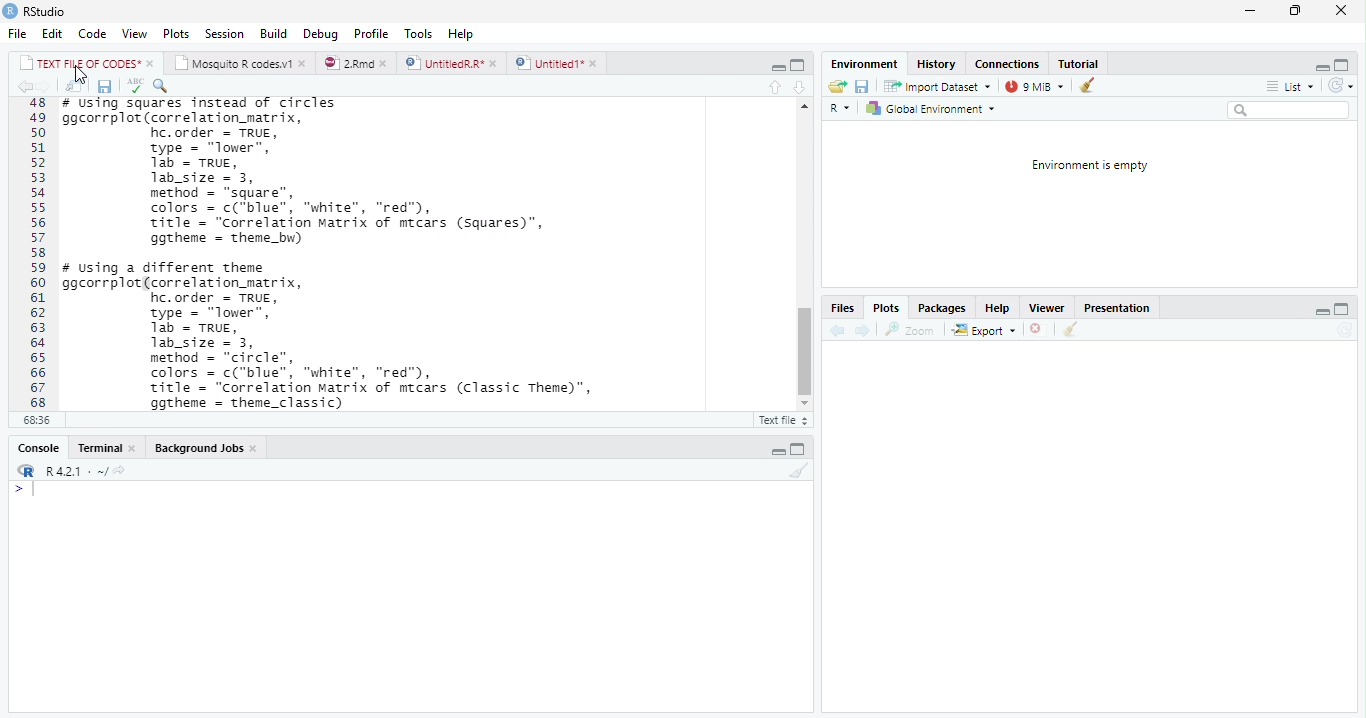 The width and height of the screenshot is (1366, 718). I want to click on Build, so click(275, 33).